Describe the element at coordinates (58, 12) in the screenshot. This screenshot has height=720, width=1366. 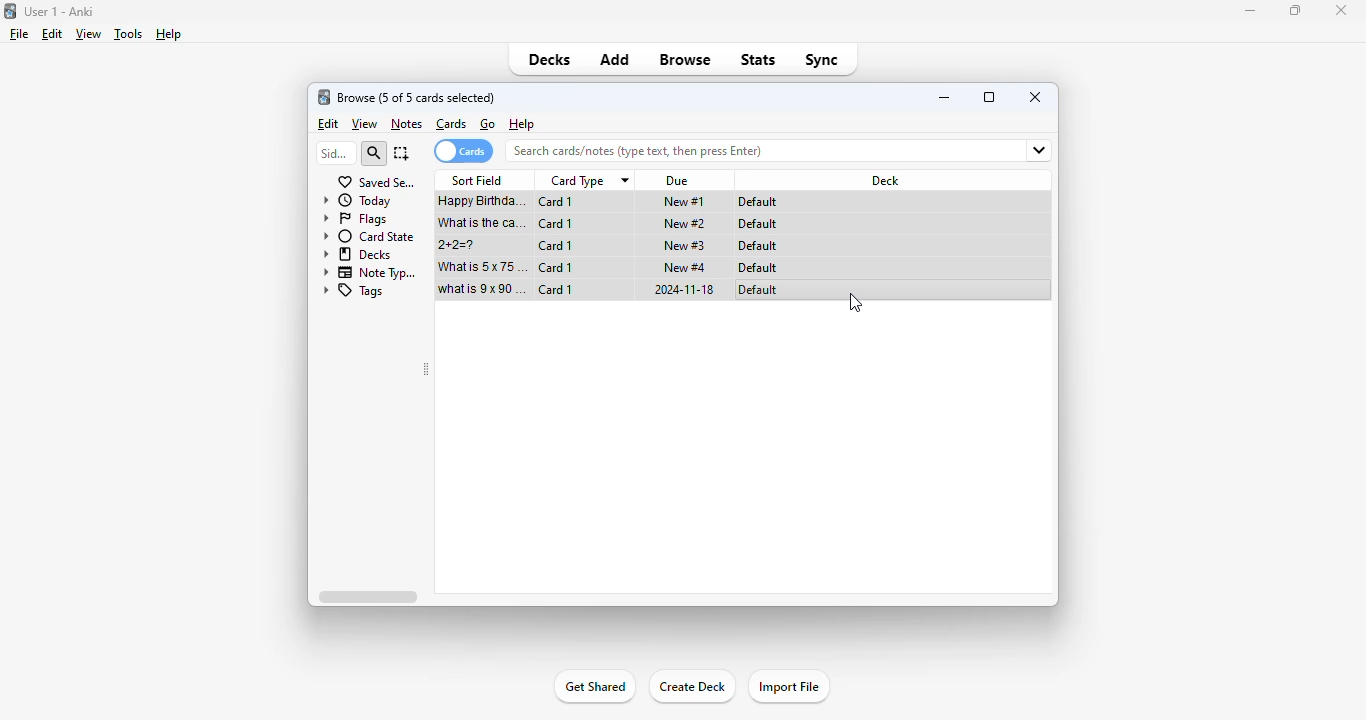
I see `title` at that location.